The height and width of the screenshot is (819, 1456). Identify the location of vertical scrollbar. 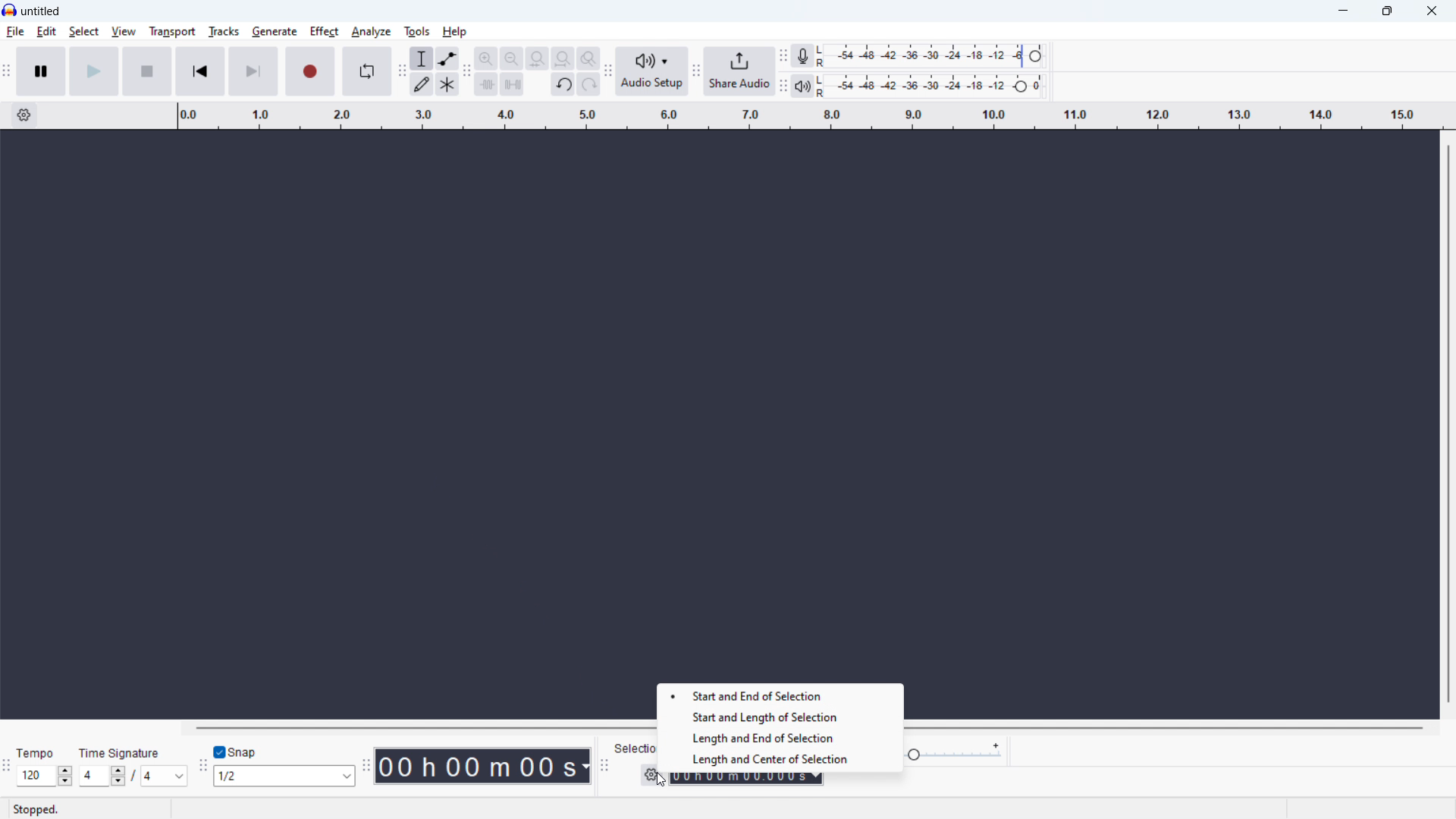
(1448, 424).